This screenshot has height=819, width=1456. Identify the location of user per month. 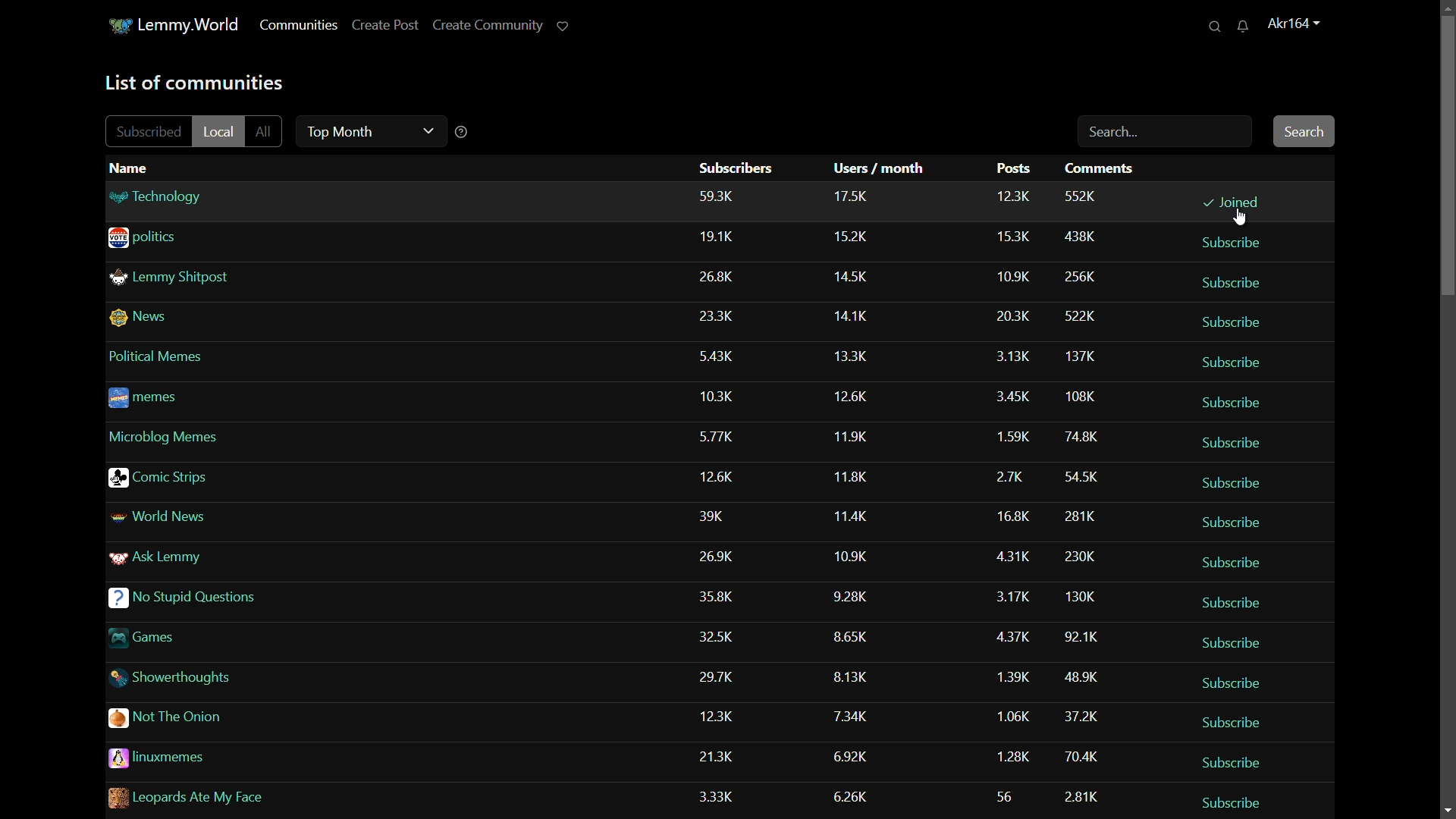
(854, 597).